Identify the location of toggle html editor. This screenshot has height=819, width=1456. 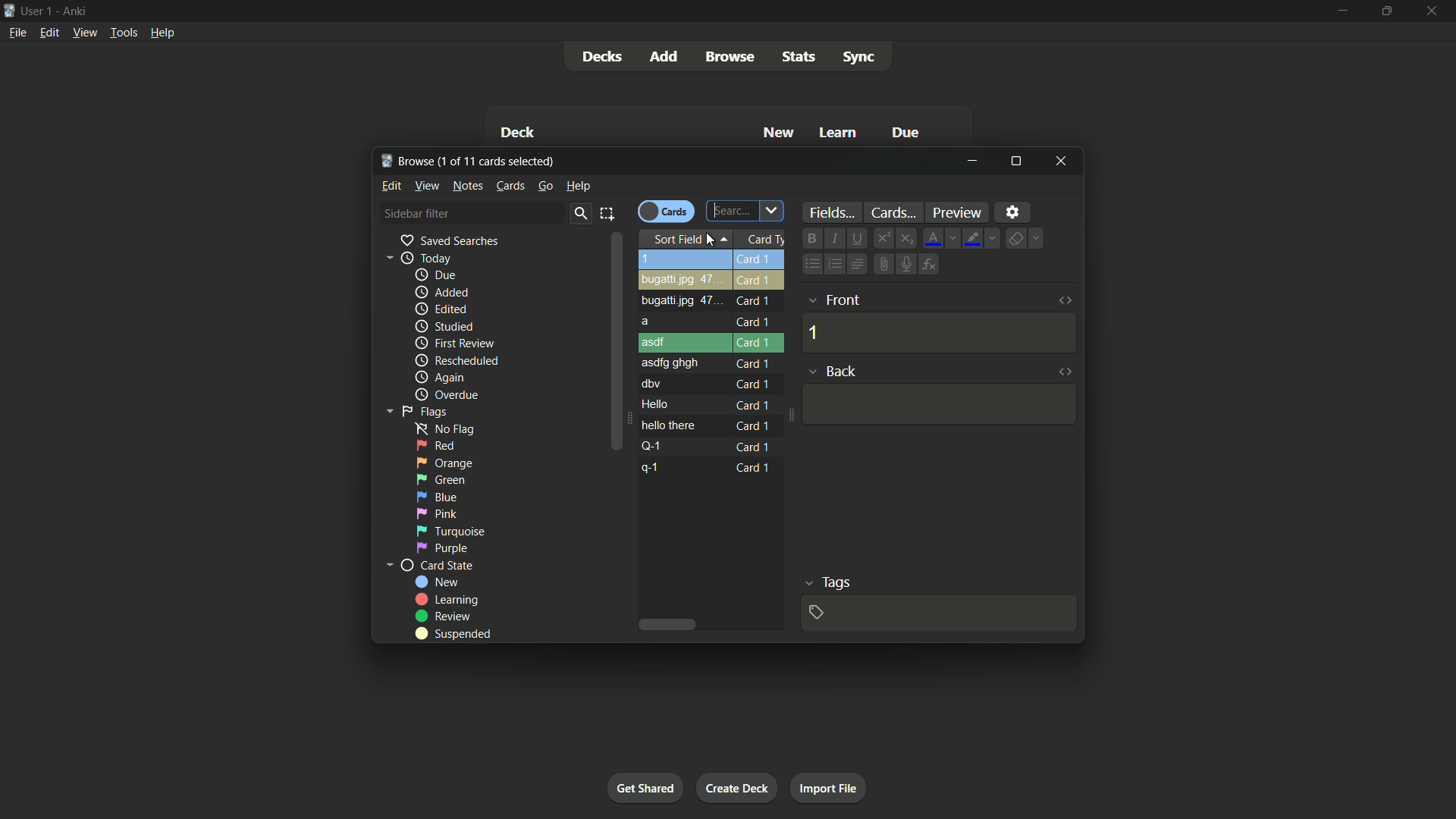
(1064, 371).